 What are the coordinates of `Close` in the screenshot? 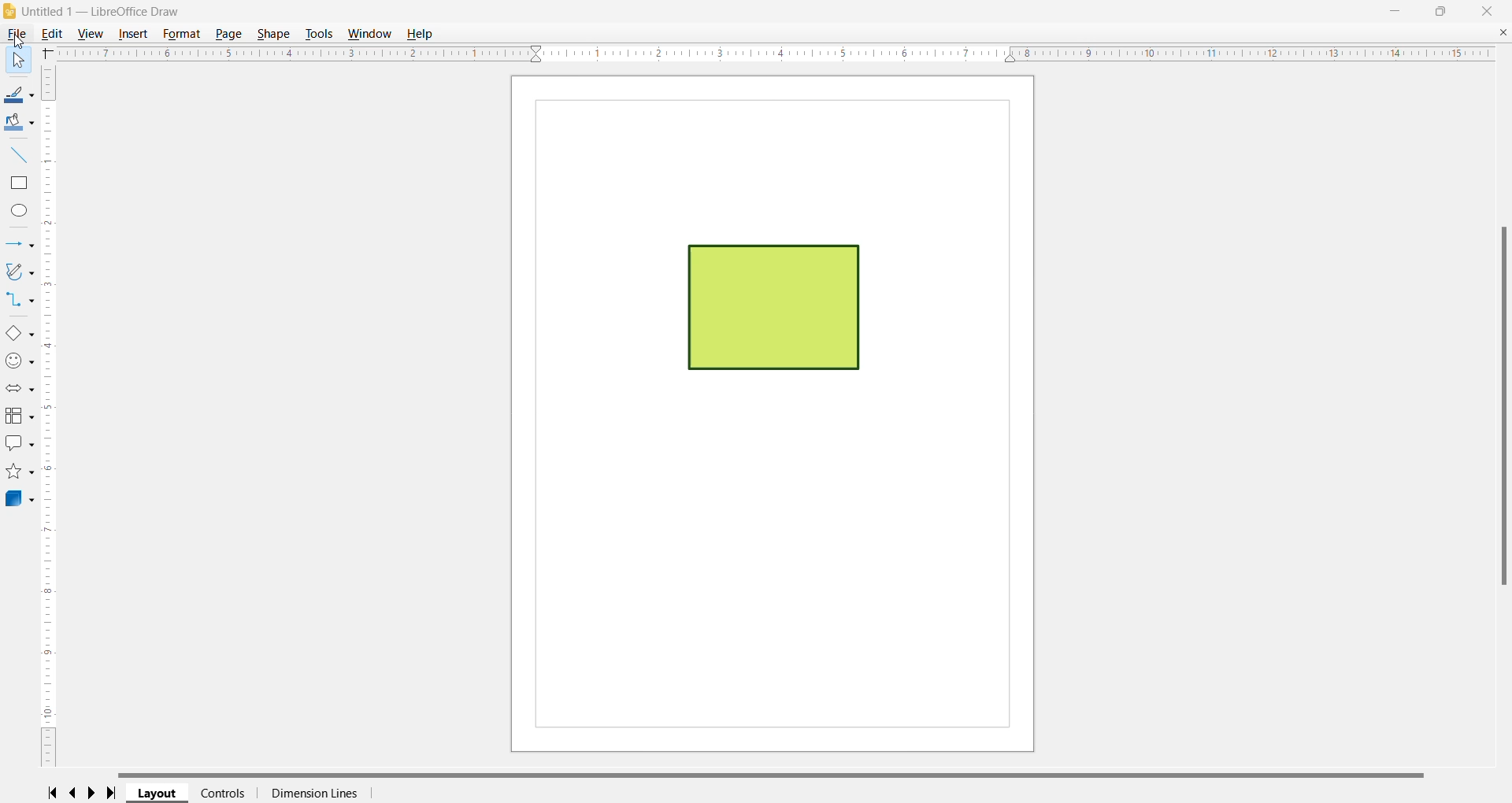 It's located at (1489, 10).